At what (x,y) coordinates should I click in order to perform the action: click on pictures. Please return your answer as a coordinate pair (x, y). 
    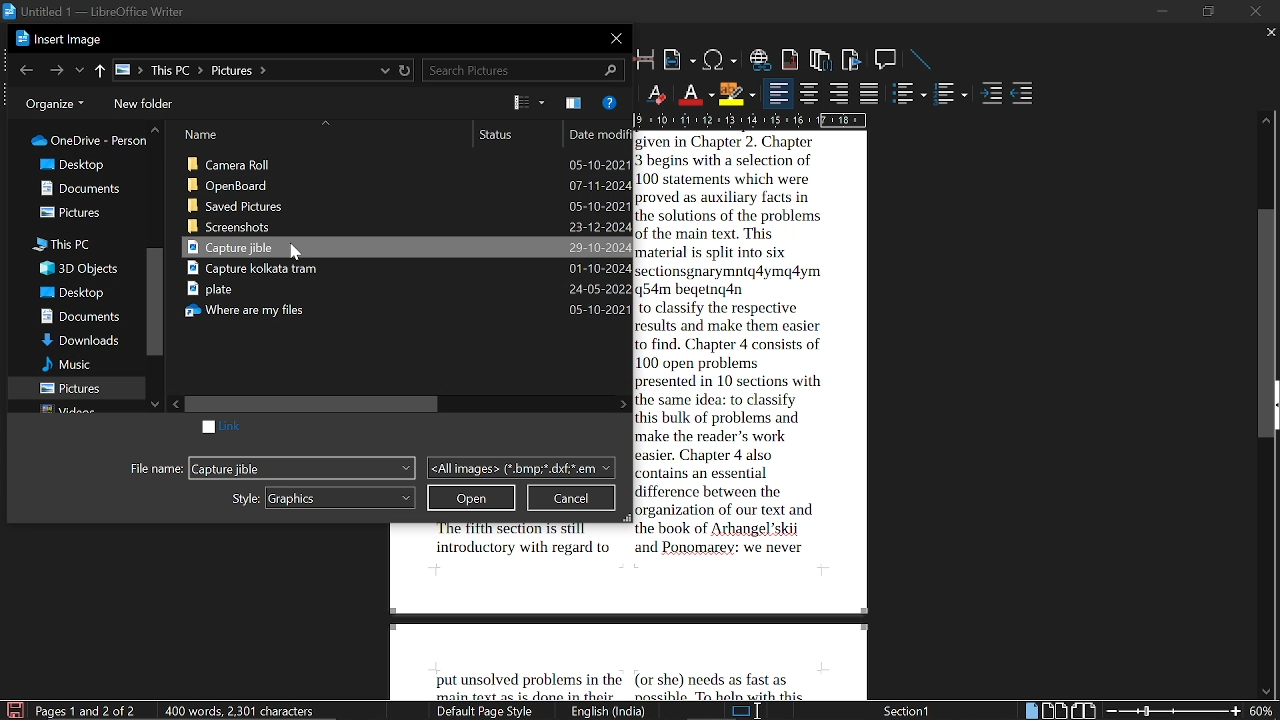
    Looking at the image, I should click on (81, 213).